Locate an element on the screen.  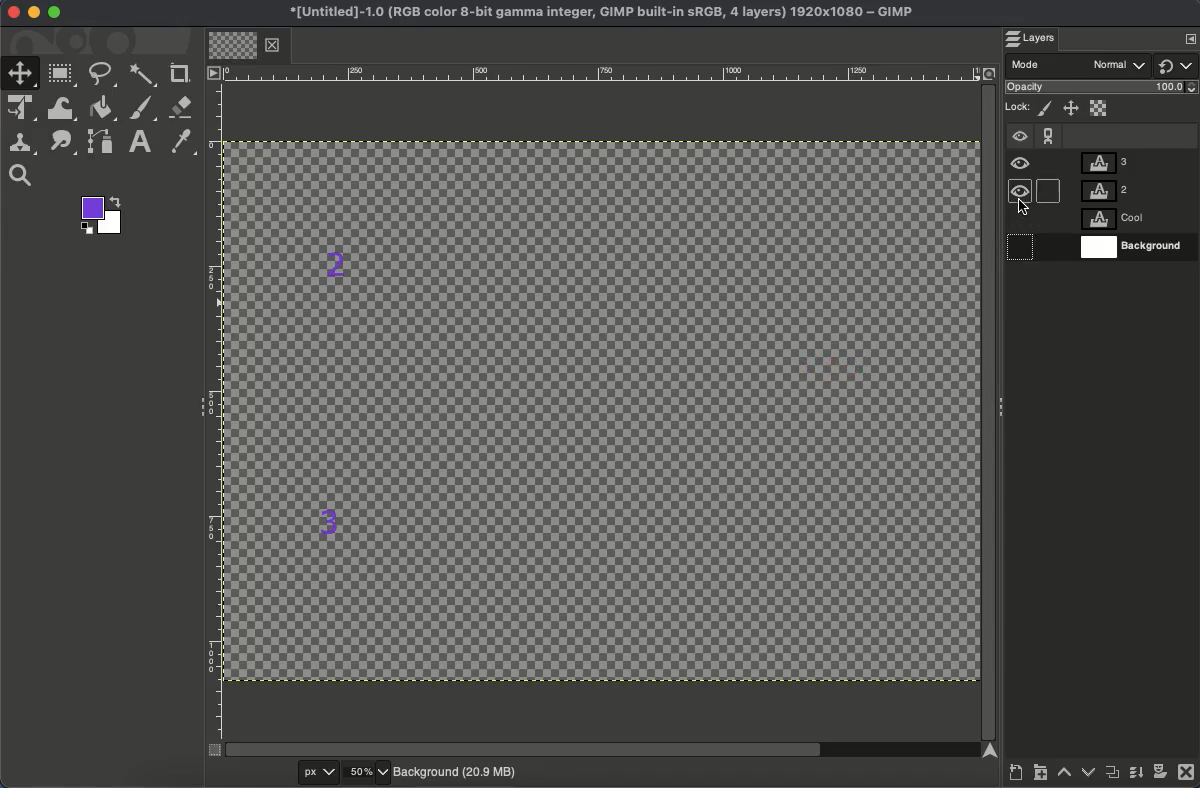
Maximize is located at coordinates (55, 15).